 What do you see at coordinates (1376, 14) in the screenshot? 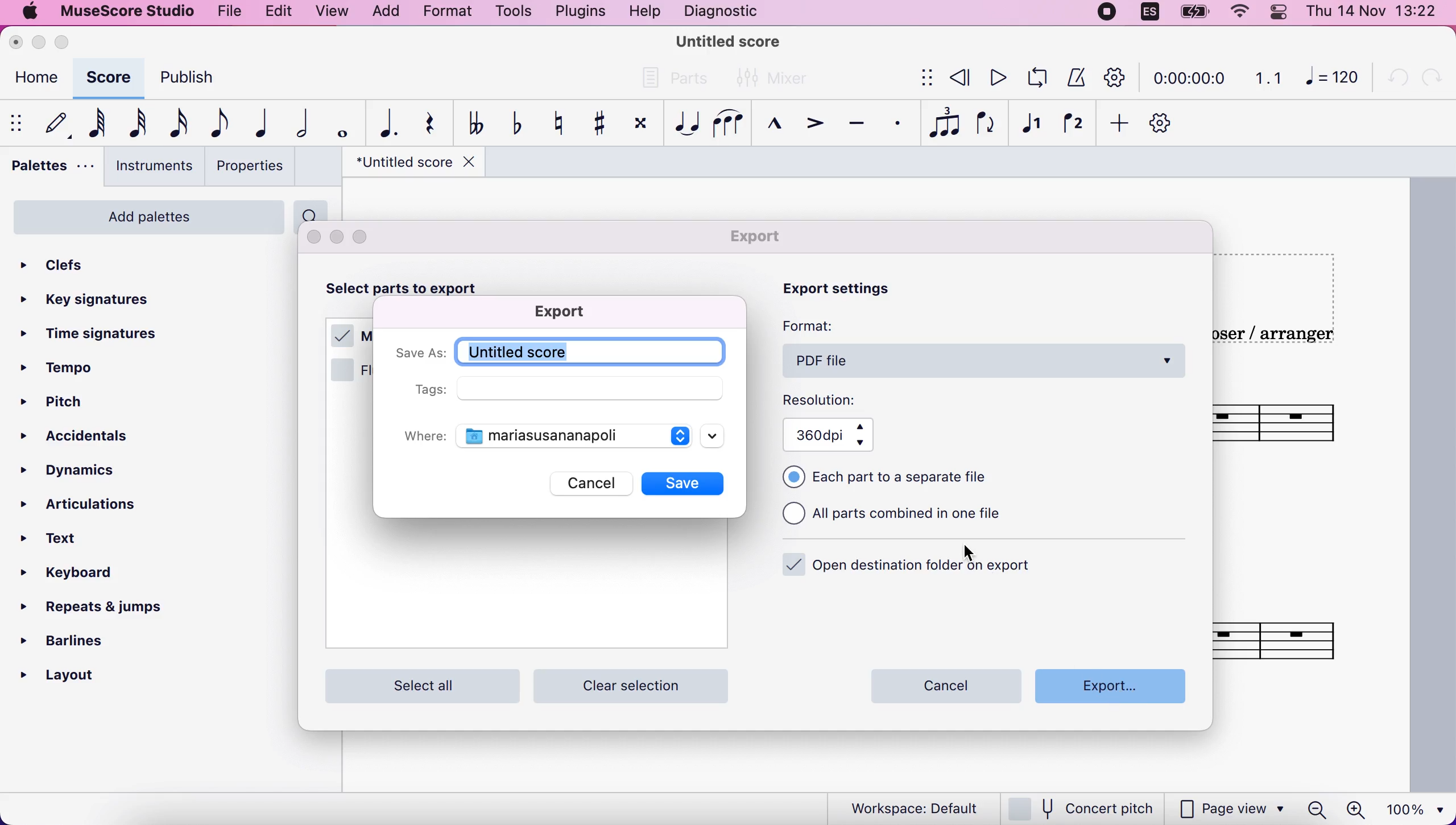
I see `time and date` at bounding box center [1376, 14].